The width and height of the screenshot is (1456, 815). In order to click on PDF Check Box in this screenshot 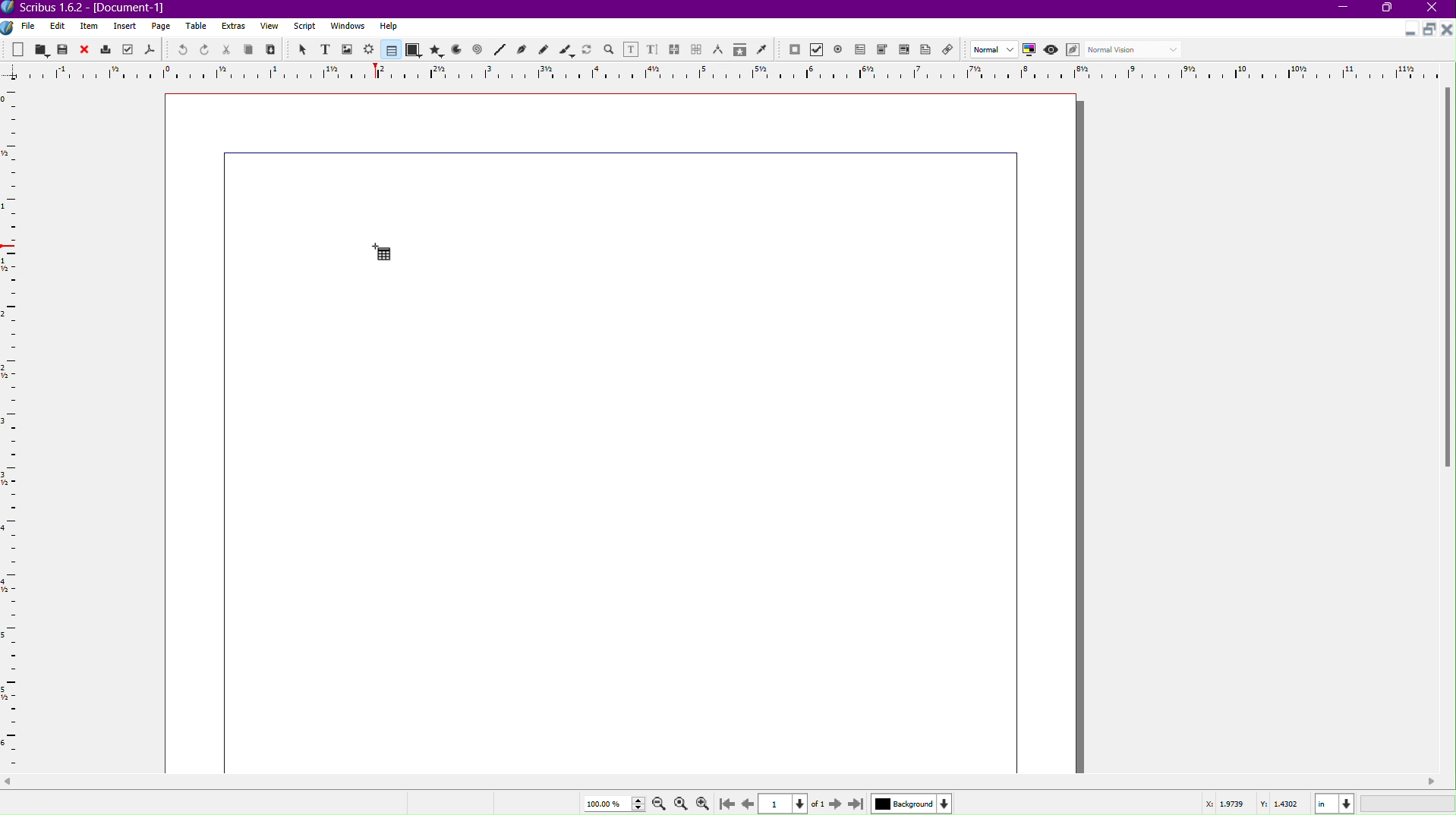, I will do `click(819, 51)`.